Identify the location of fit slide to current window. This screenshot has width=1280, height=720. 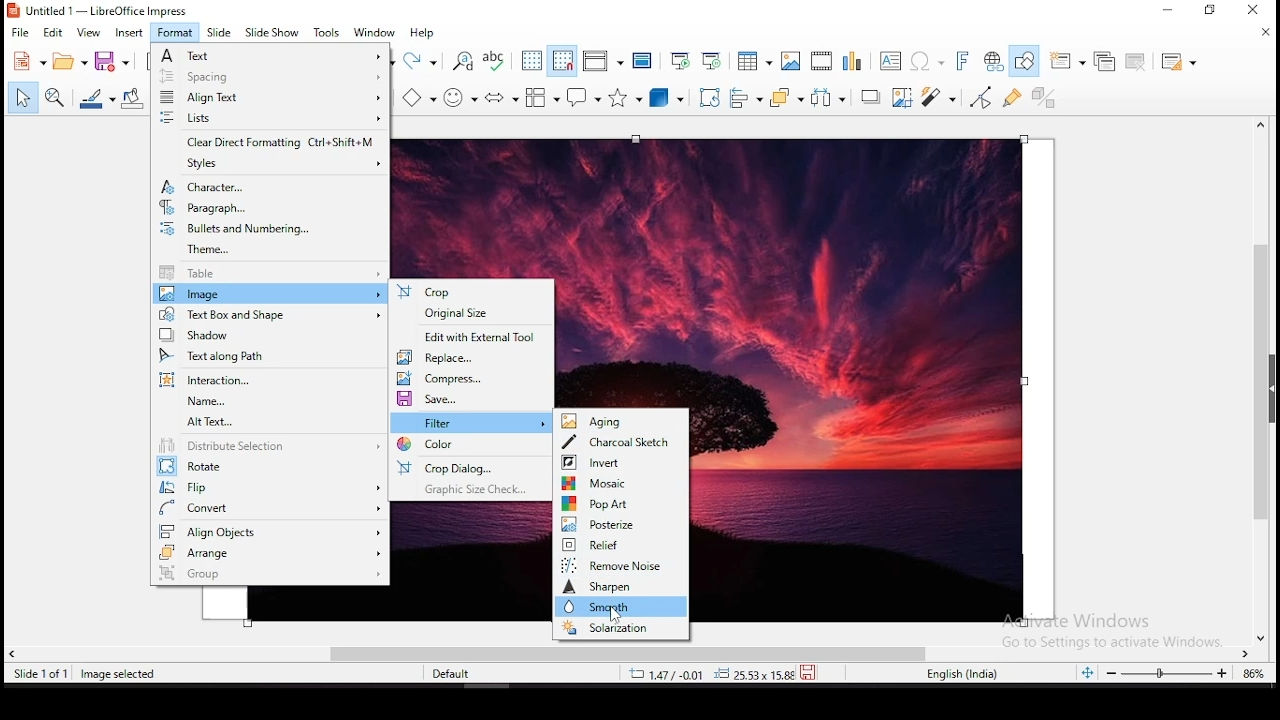
(1090, 673).